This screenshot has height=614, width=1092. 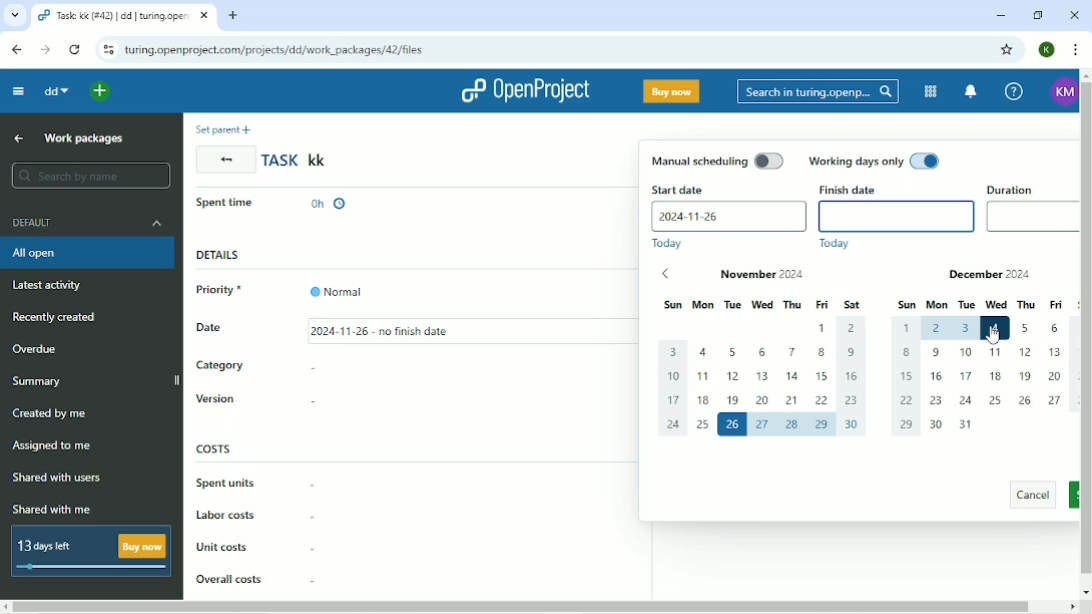 What do you see at coordinates (928, 92) in the screenshot?
I see `Modules` at bounding box center [928, 92].